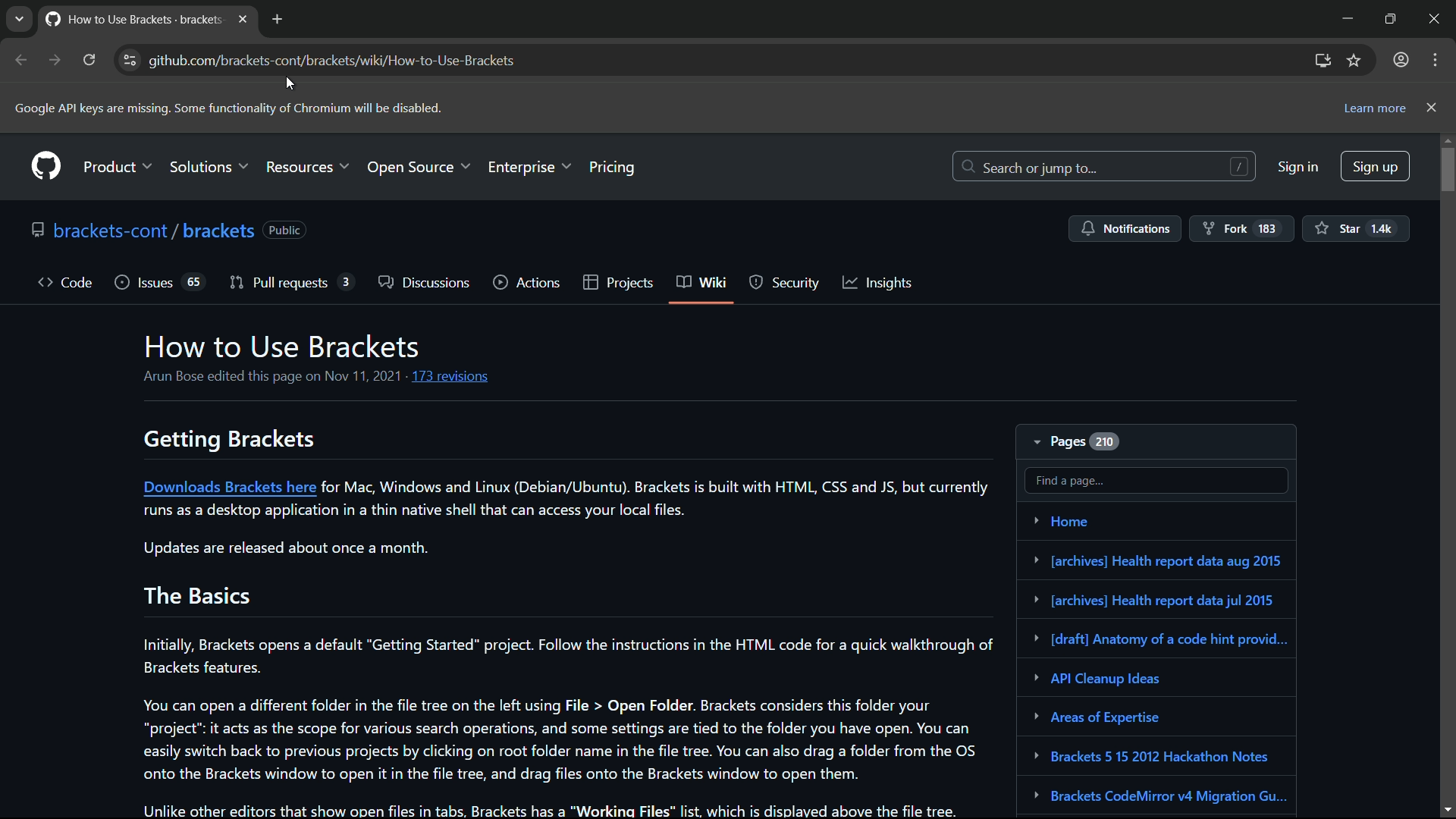  What do you see at coordinates (126, 60) in the screenshot?
I see `view site information` at bounding box center [126, 60].